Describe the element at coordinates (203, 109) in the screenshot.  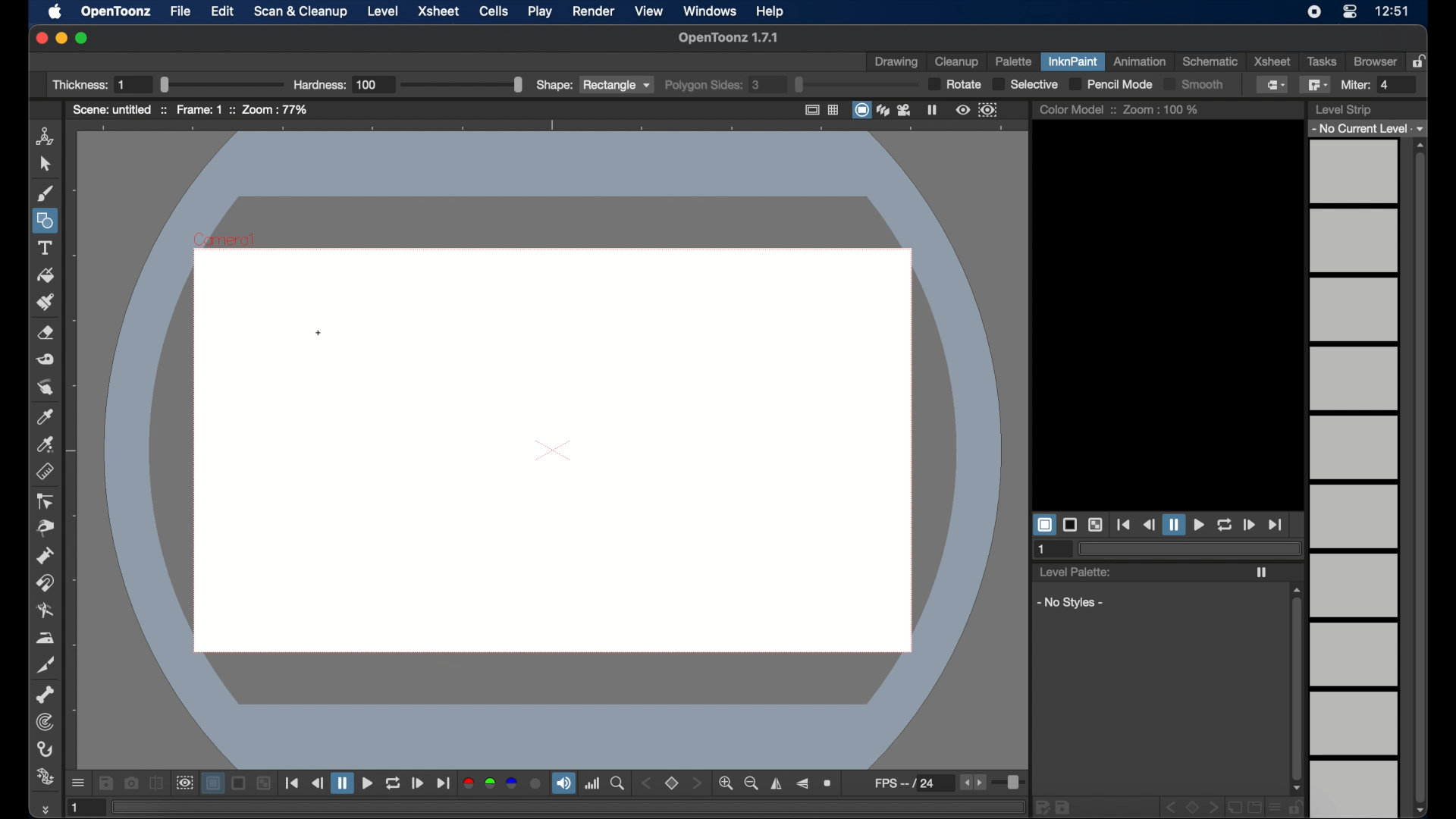
I see `frame: 1` at that location.